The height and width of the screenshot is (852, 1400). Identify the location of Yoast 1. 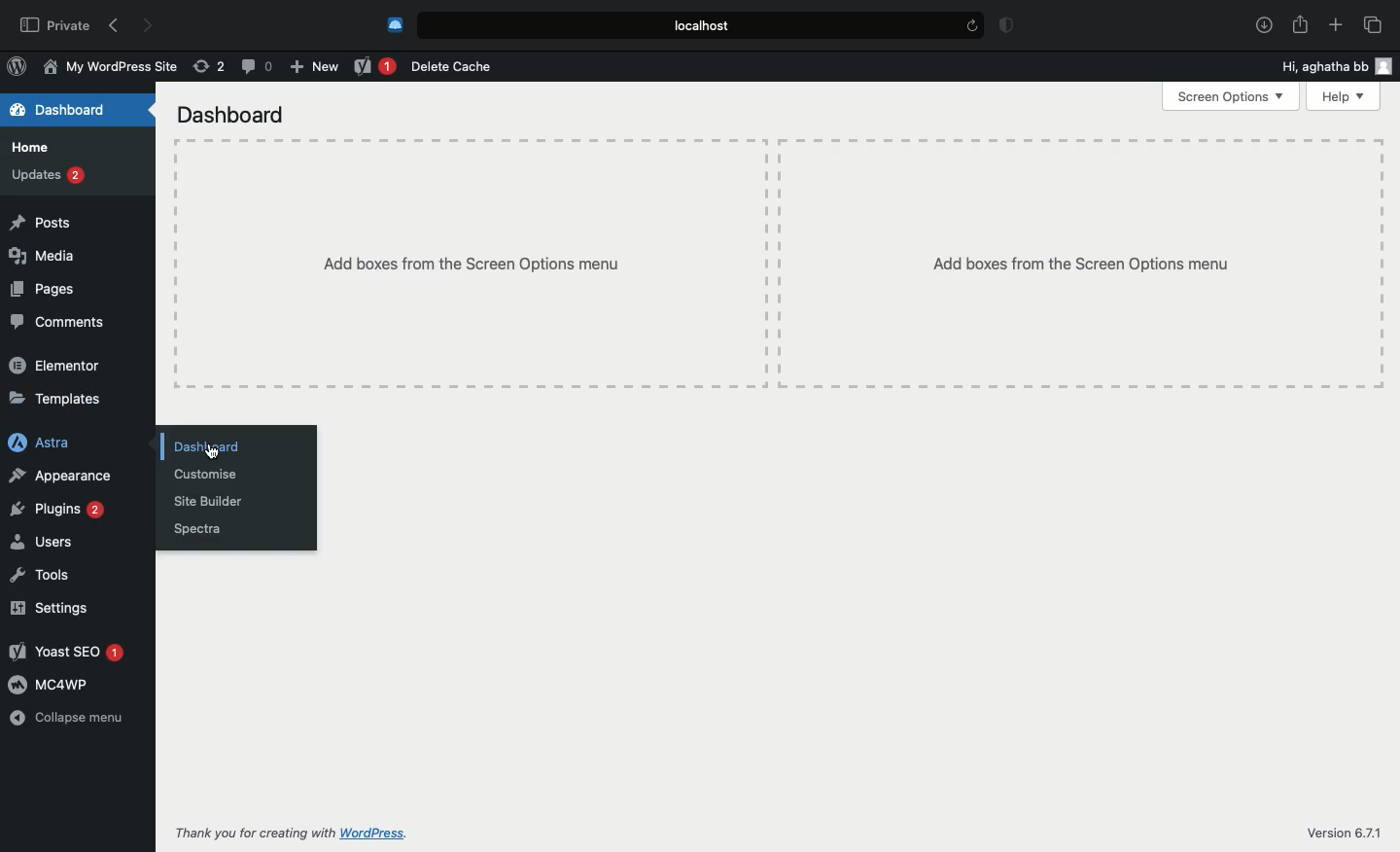
(374, 67).